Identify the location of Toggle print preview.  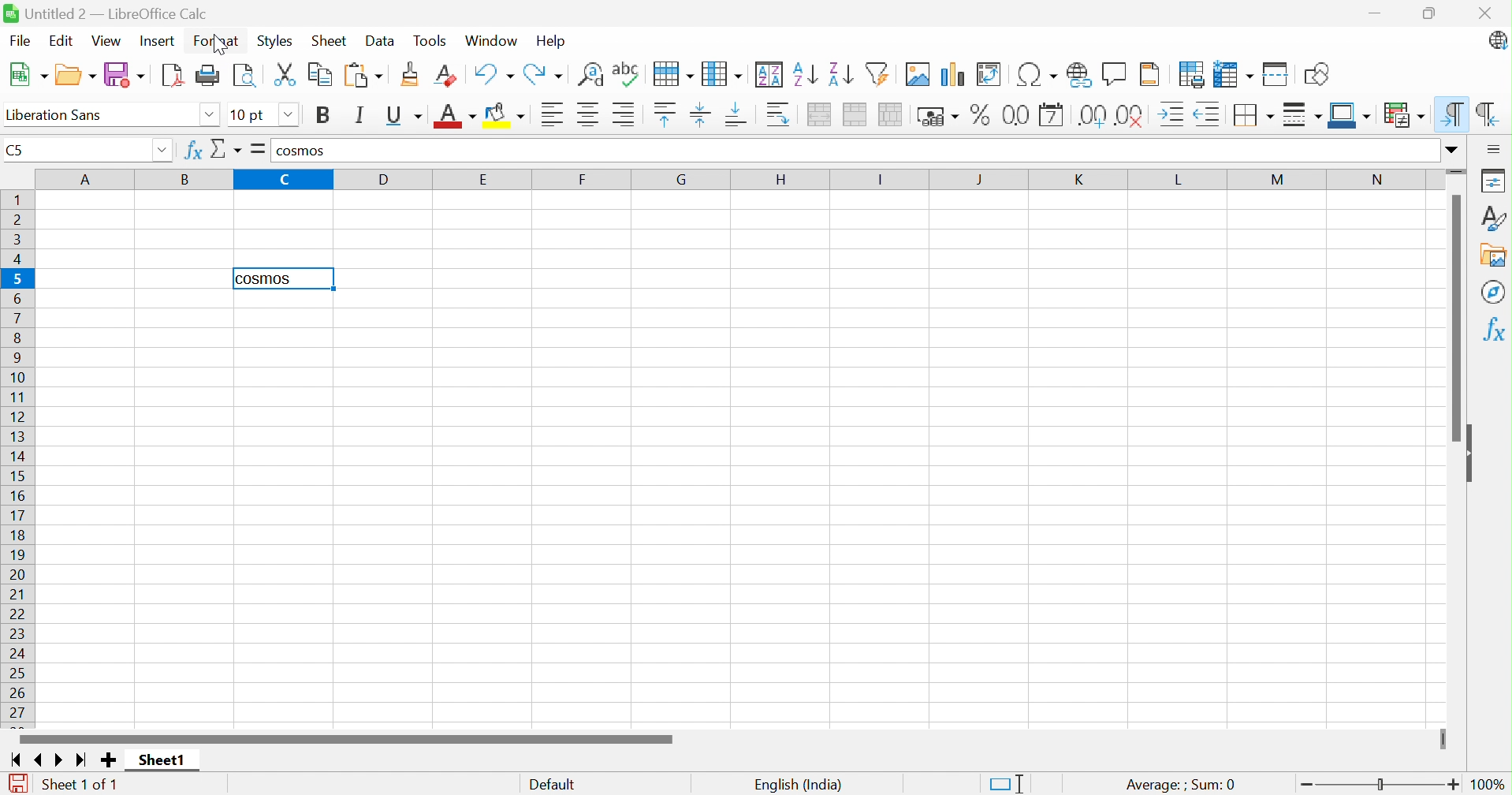
(246, 76).